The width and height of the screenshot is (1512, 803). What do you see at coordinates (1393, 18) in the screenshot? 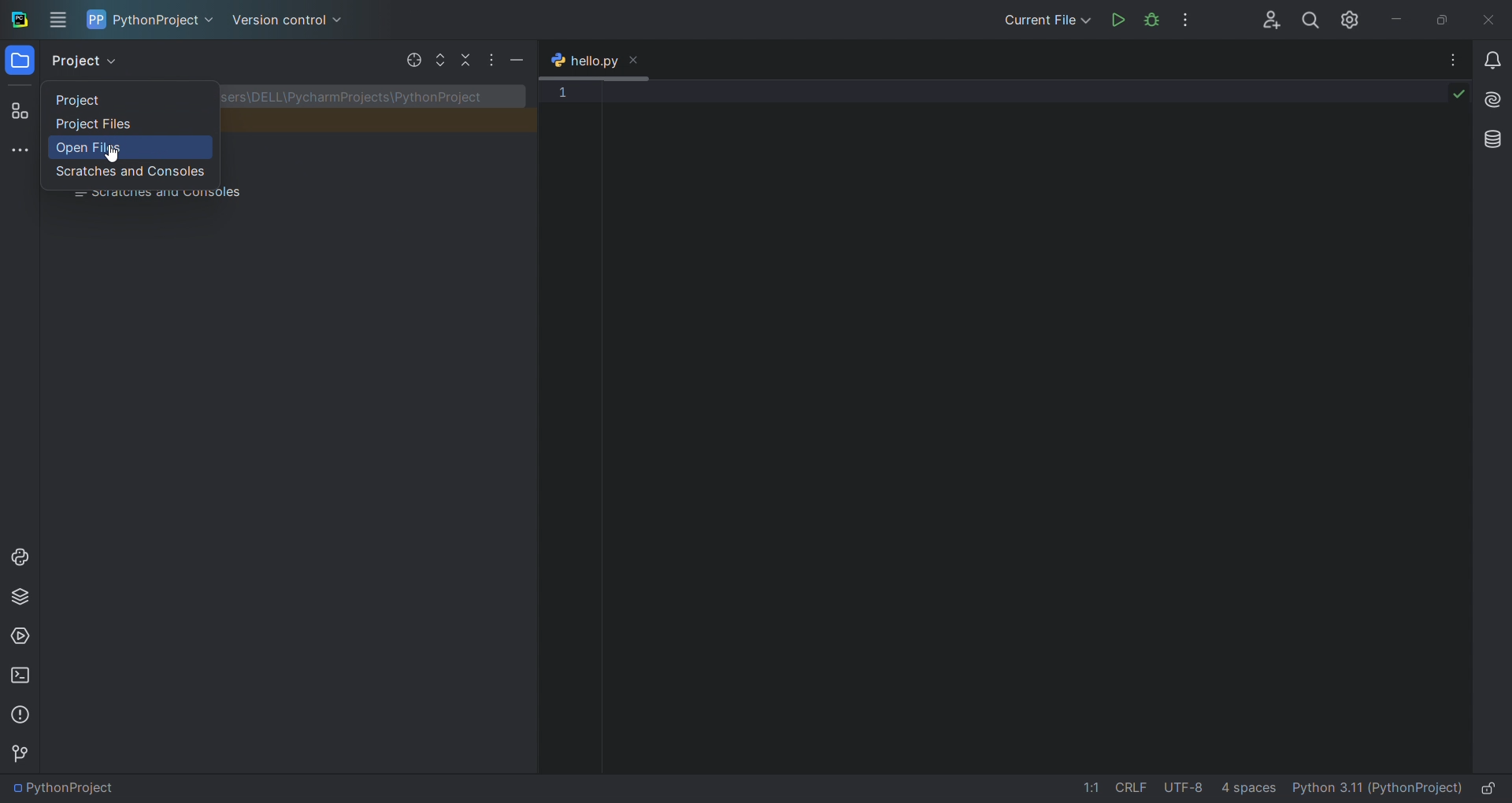
I see `minimize` at bounding box center [1393, 18].